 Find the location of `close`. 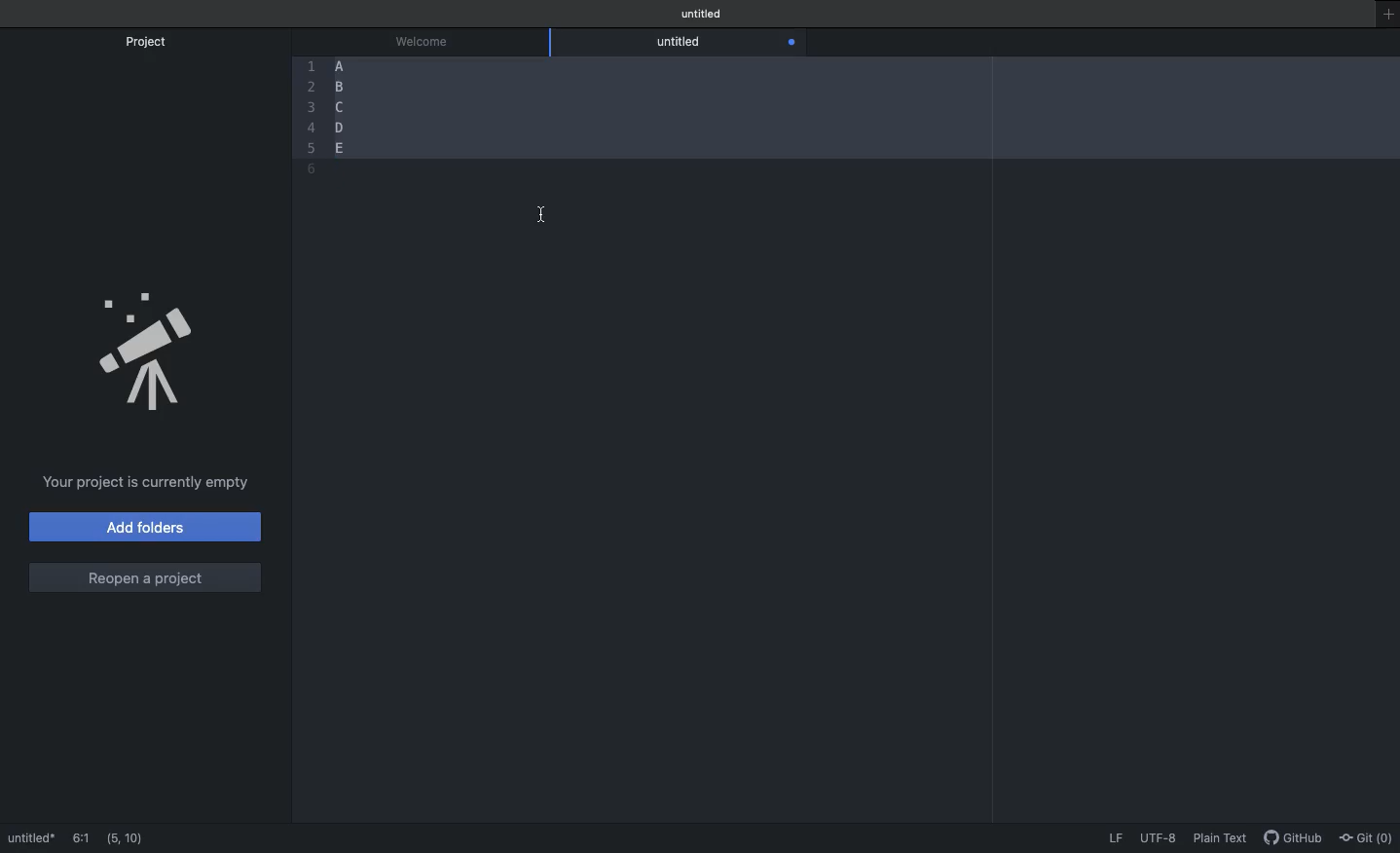

close is located at coordinates (792, 43).